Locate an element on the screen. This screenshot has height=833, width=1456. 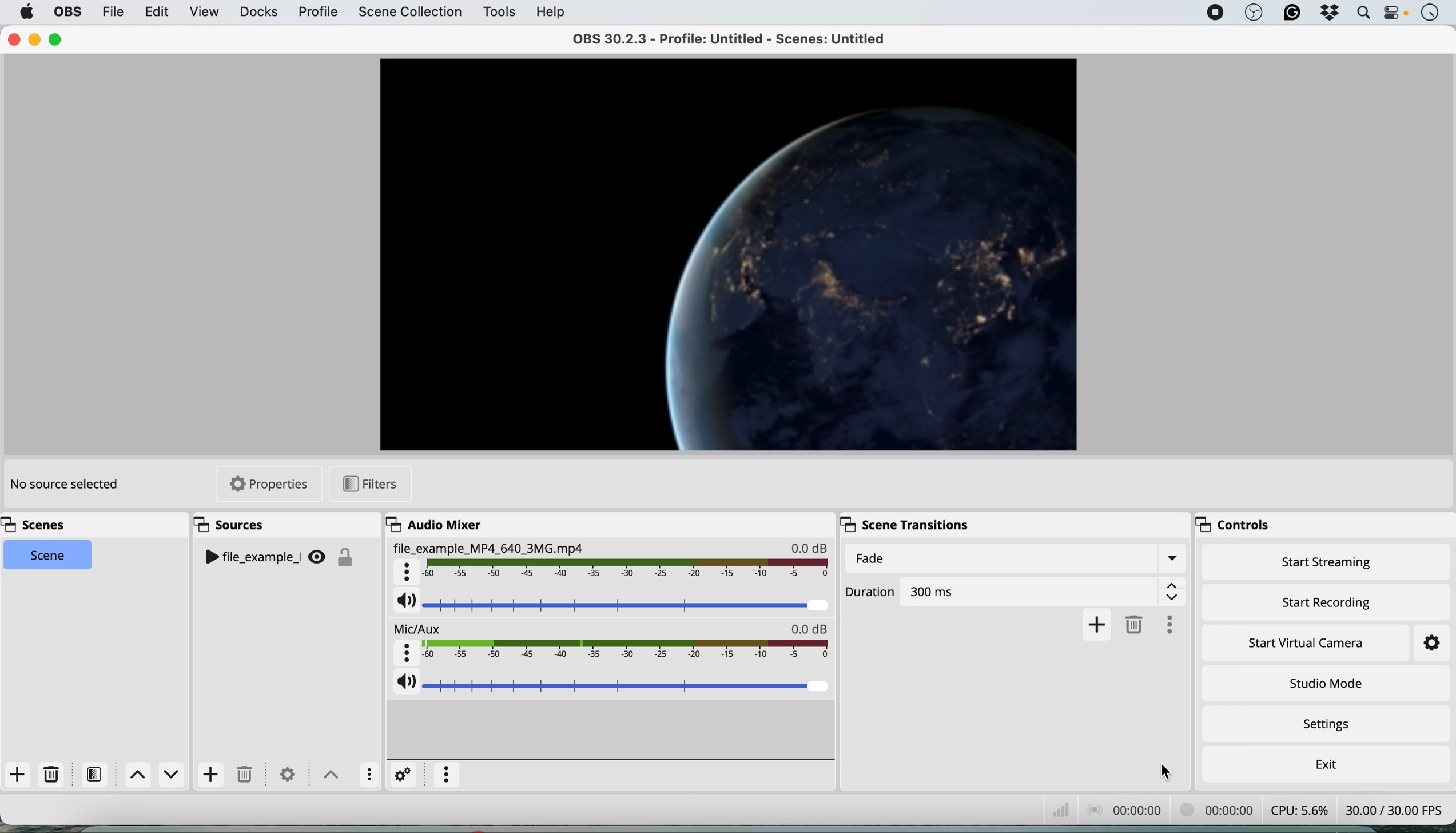
settings is located at coordinates (286, 774).